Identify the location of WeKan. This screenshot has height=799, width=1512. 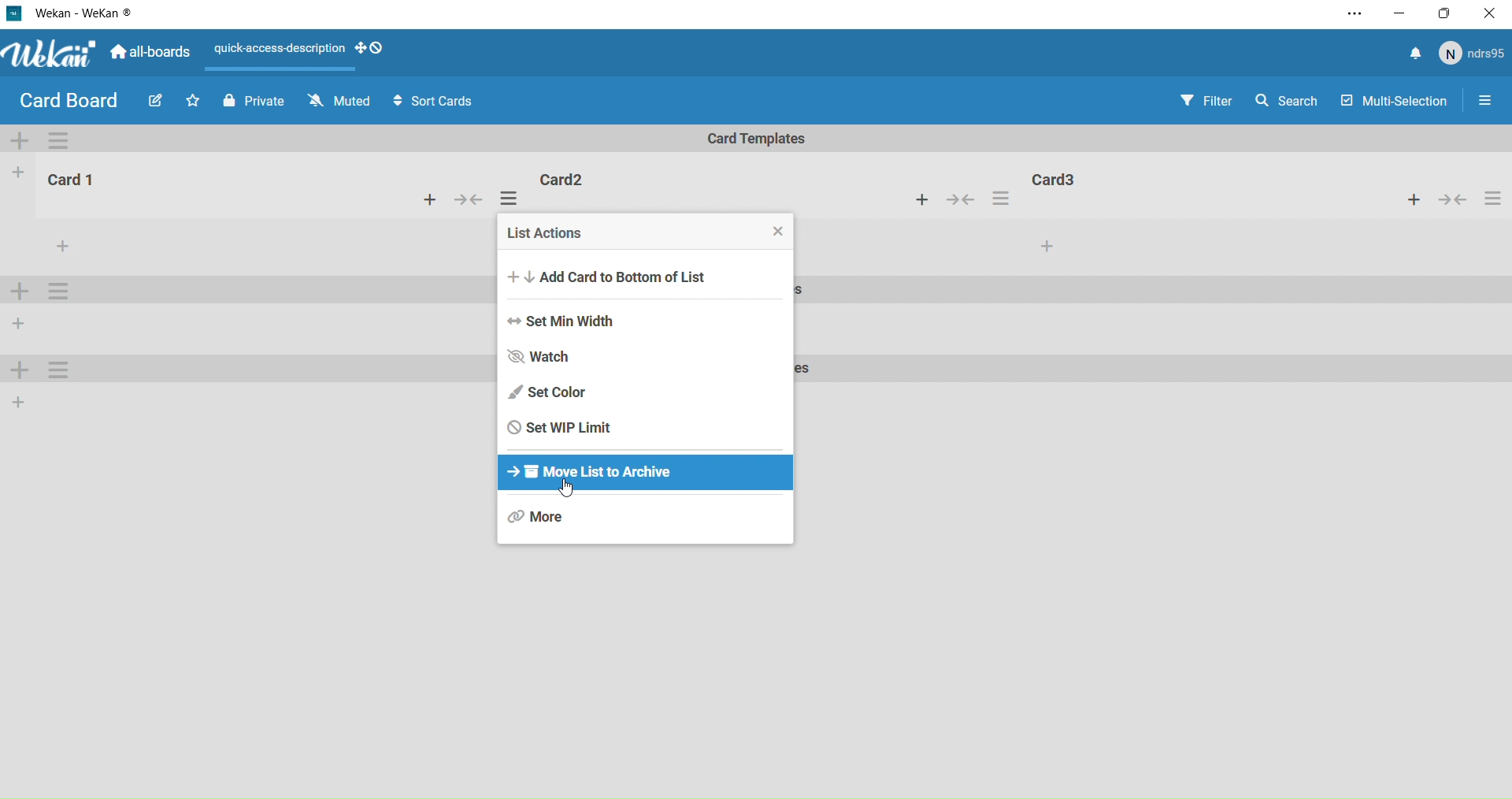
(72, 13).